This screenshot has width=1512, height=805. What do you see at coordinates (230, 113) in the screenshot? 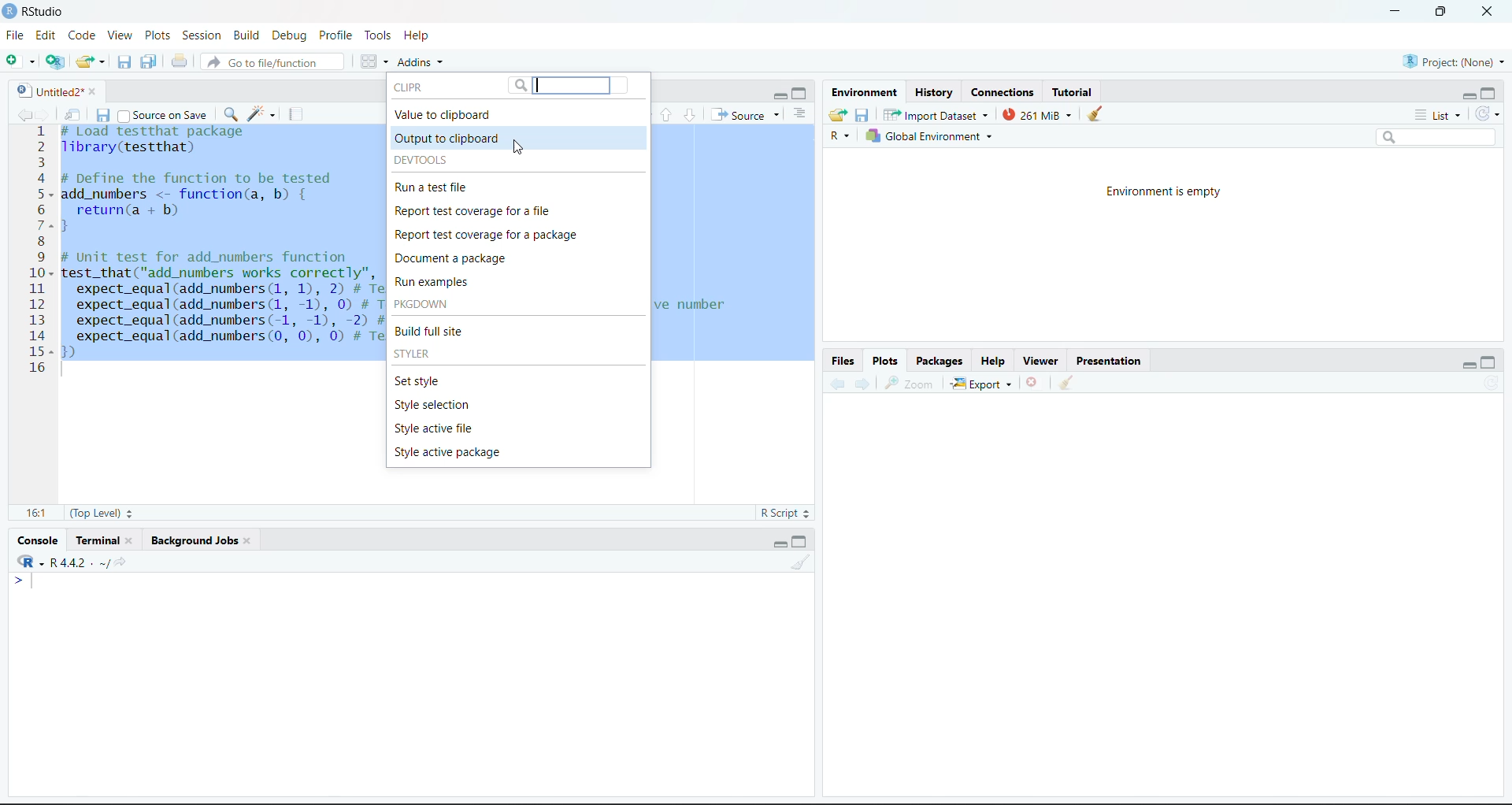
I see `find` at bounding box center [230, 113].